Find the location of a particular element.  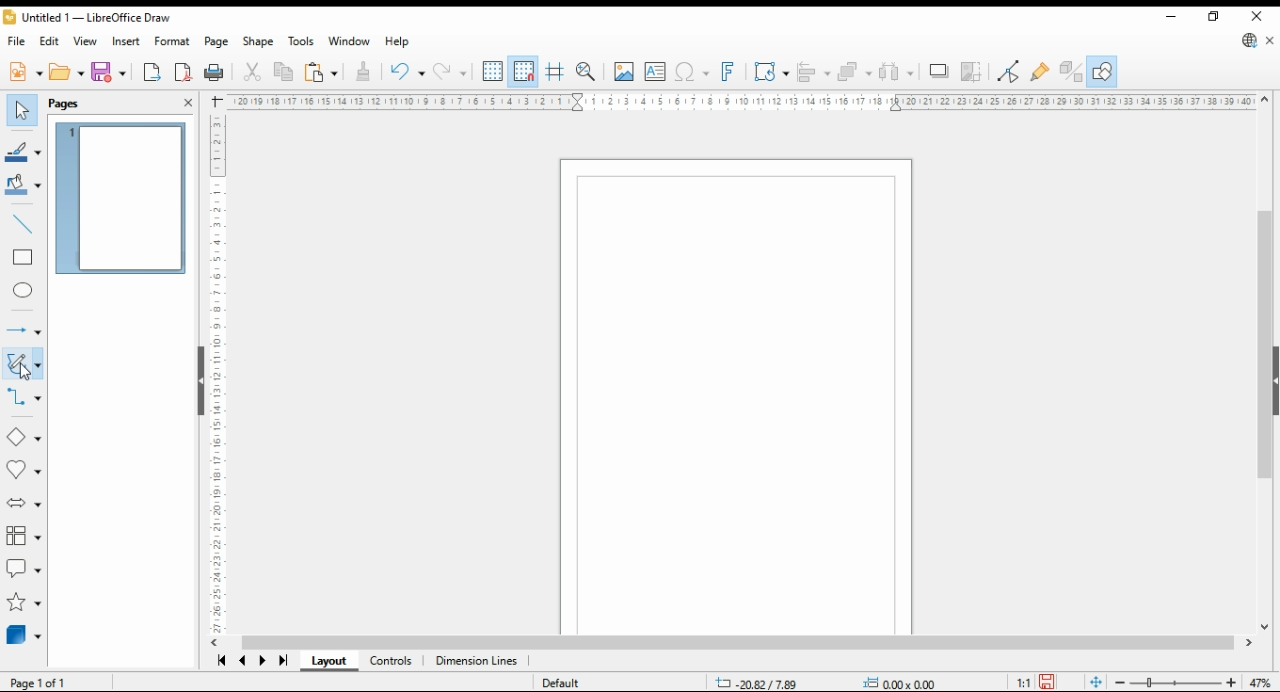

tools is located at coordinates (302, 42).